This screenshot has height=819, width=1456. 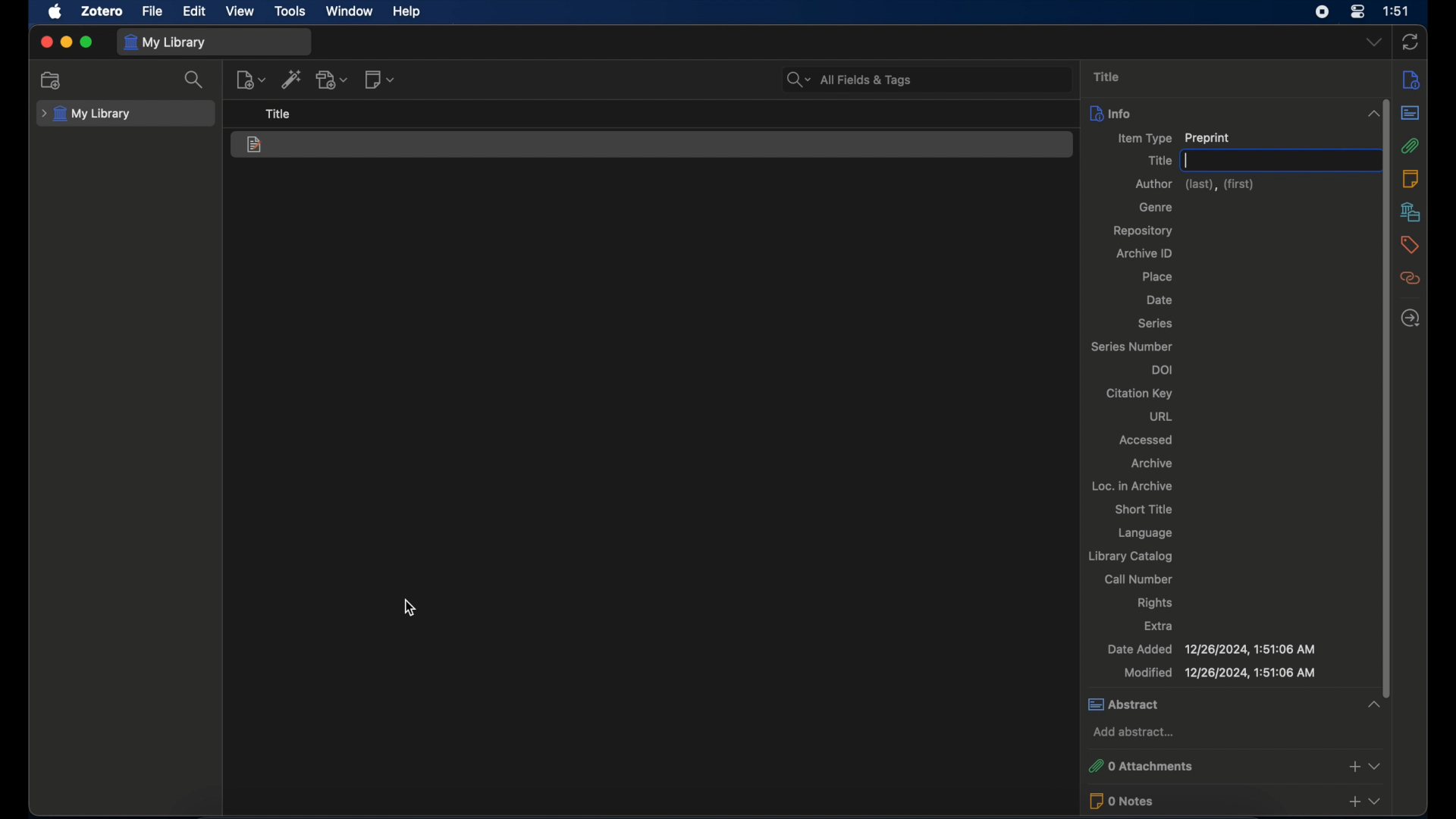 I want to click on language, so click(x=1147, y=532).